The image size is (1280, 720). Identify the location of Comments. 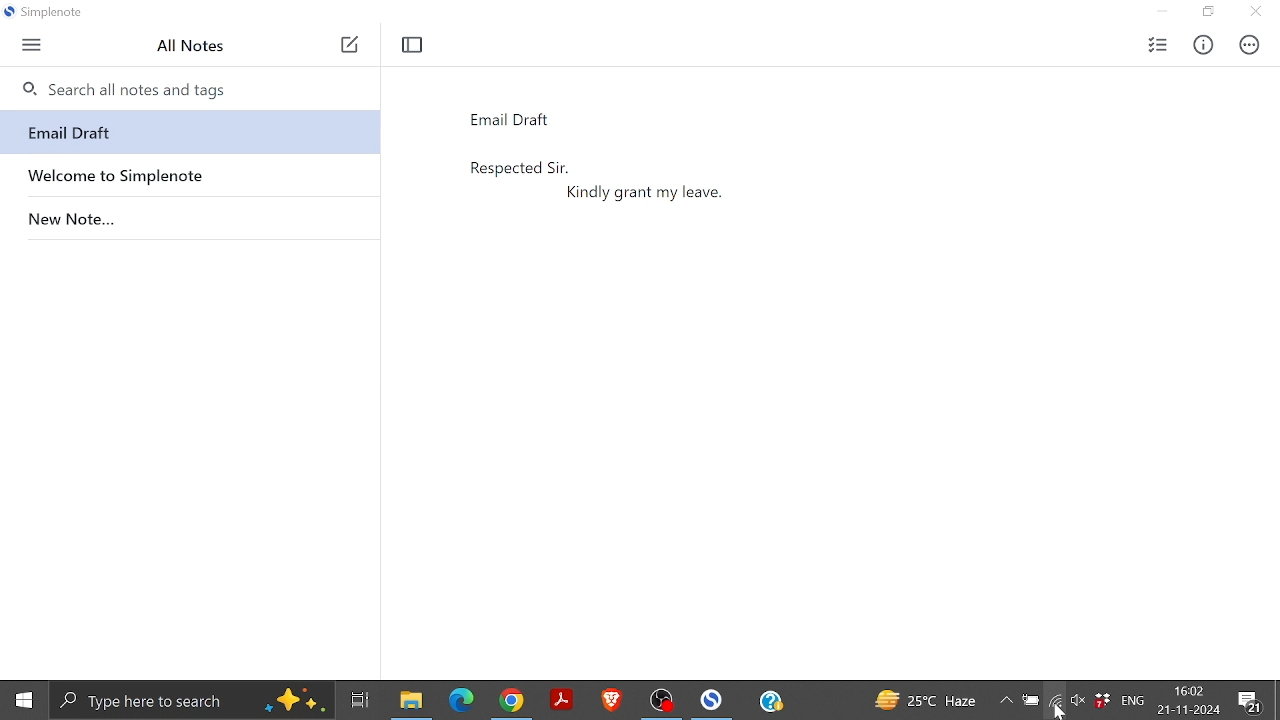
(1252, 701).